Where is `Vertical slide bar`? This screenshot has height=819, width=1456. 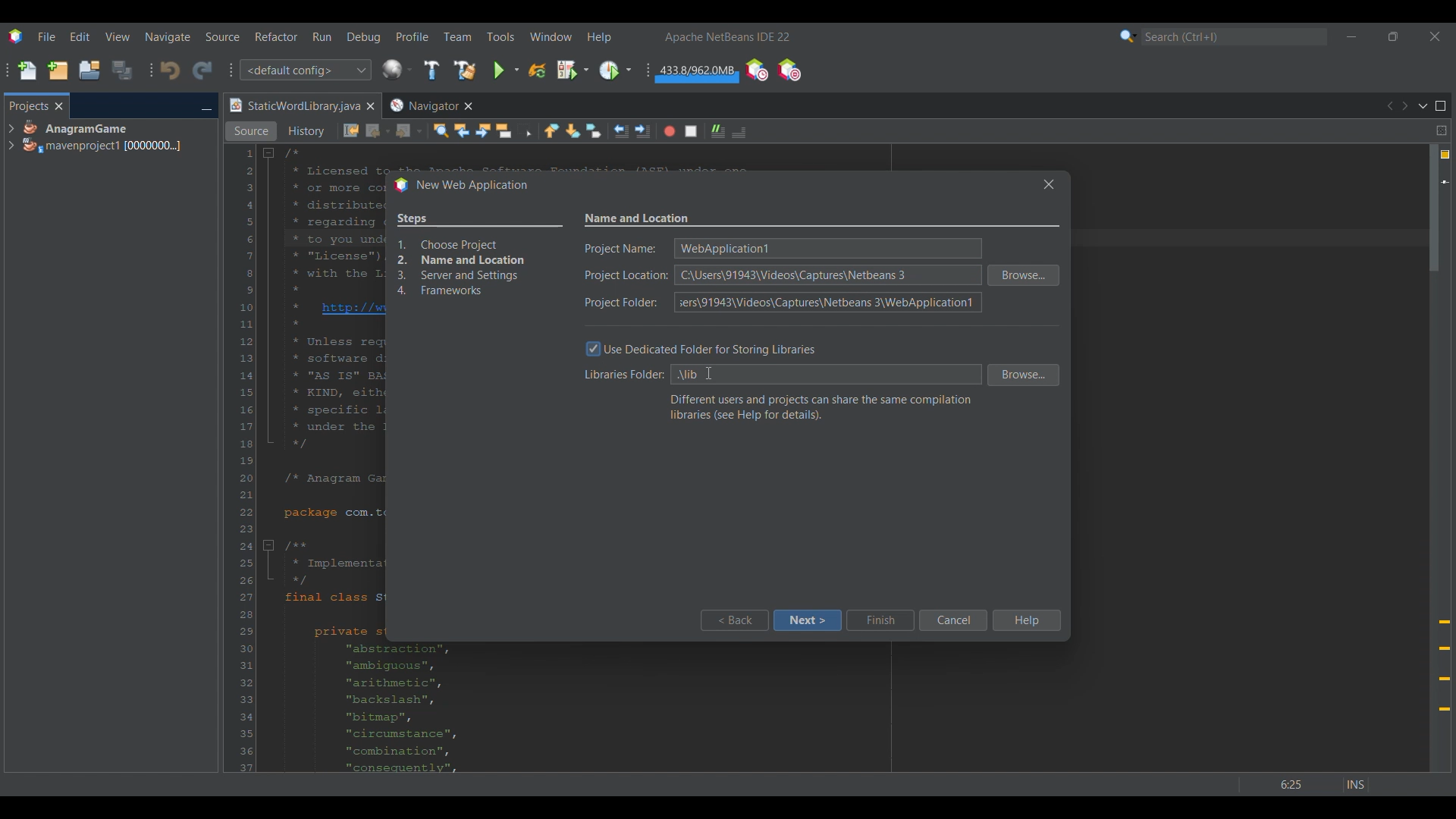
Vertical slide bar is located at coordinates (1434, 458).